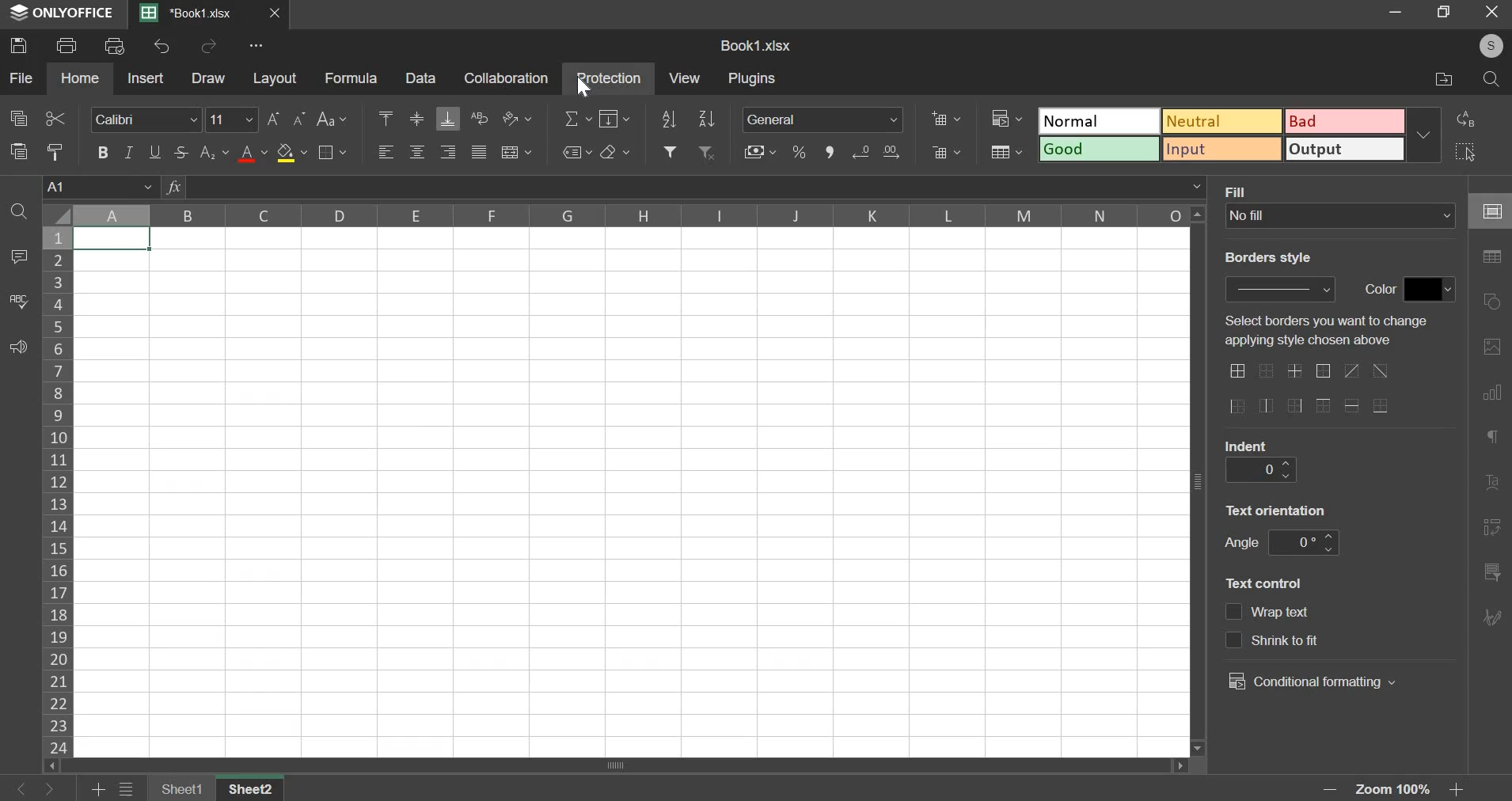  What do you see at coordinates (16, 257) in the screenshot?
I see `comment` at bounding box center [16, 257].